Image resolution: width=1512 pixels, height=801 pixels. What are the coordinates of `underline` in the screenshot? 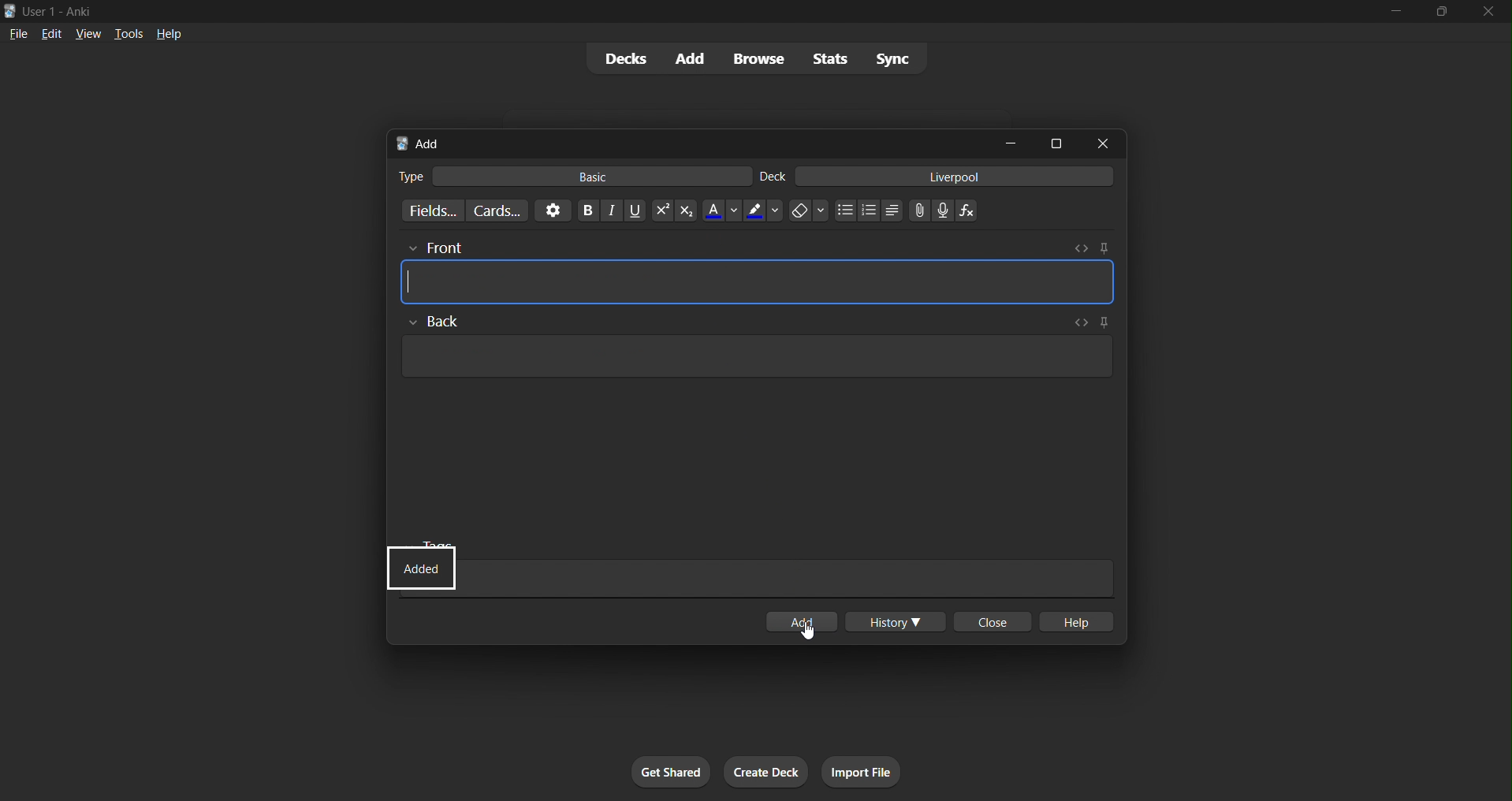 It's located at (630, 210).